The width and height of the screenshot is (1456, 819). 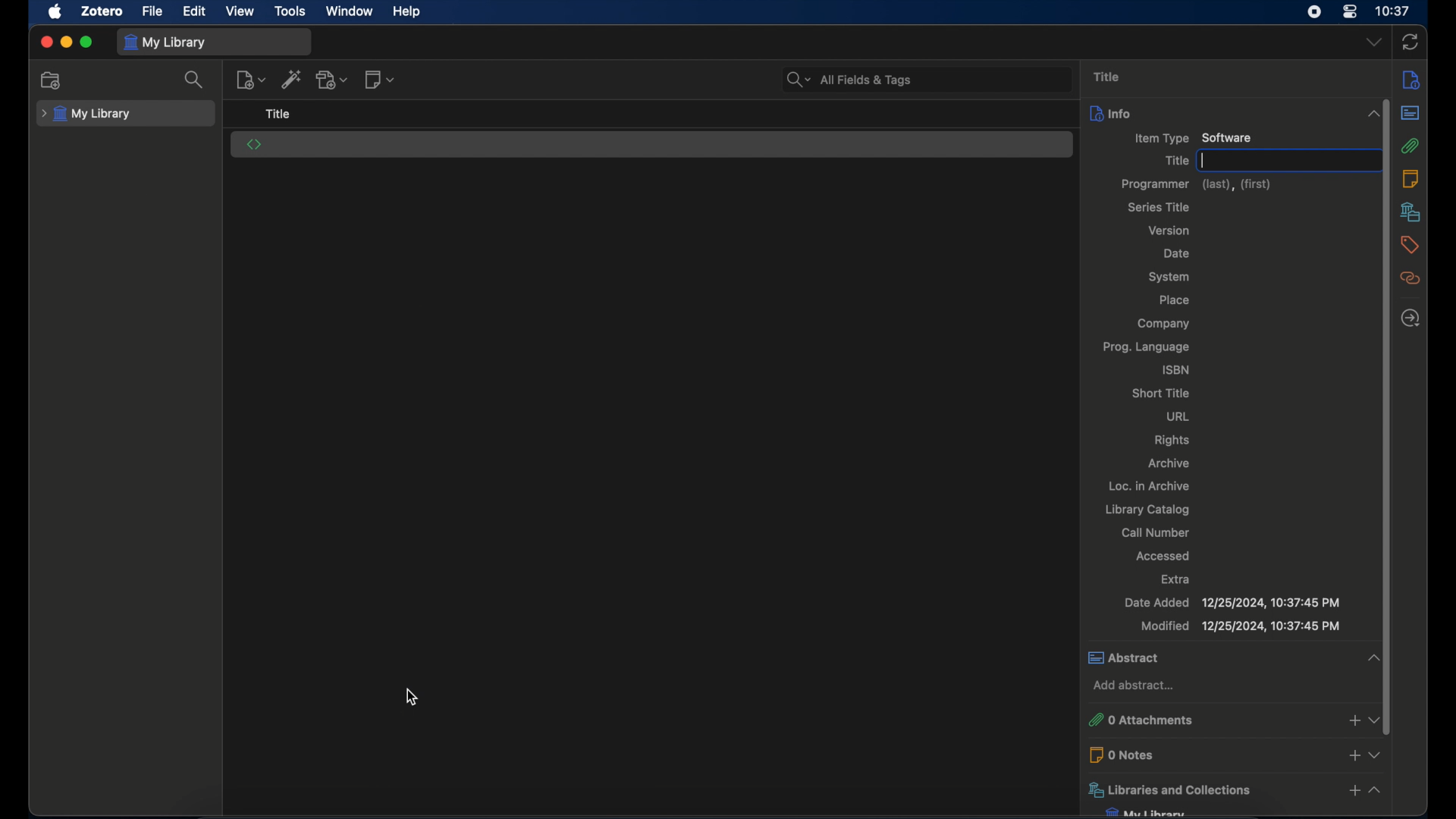 I want to click on programmer, so click(x=1197, y=184).